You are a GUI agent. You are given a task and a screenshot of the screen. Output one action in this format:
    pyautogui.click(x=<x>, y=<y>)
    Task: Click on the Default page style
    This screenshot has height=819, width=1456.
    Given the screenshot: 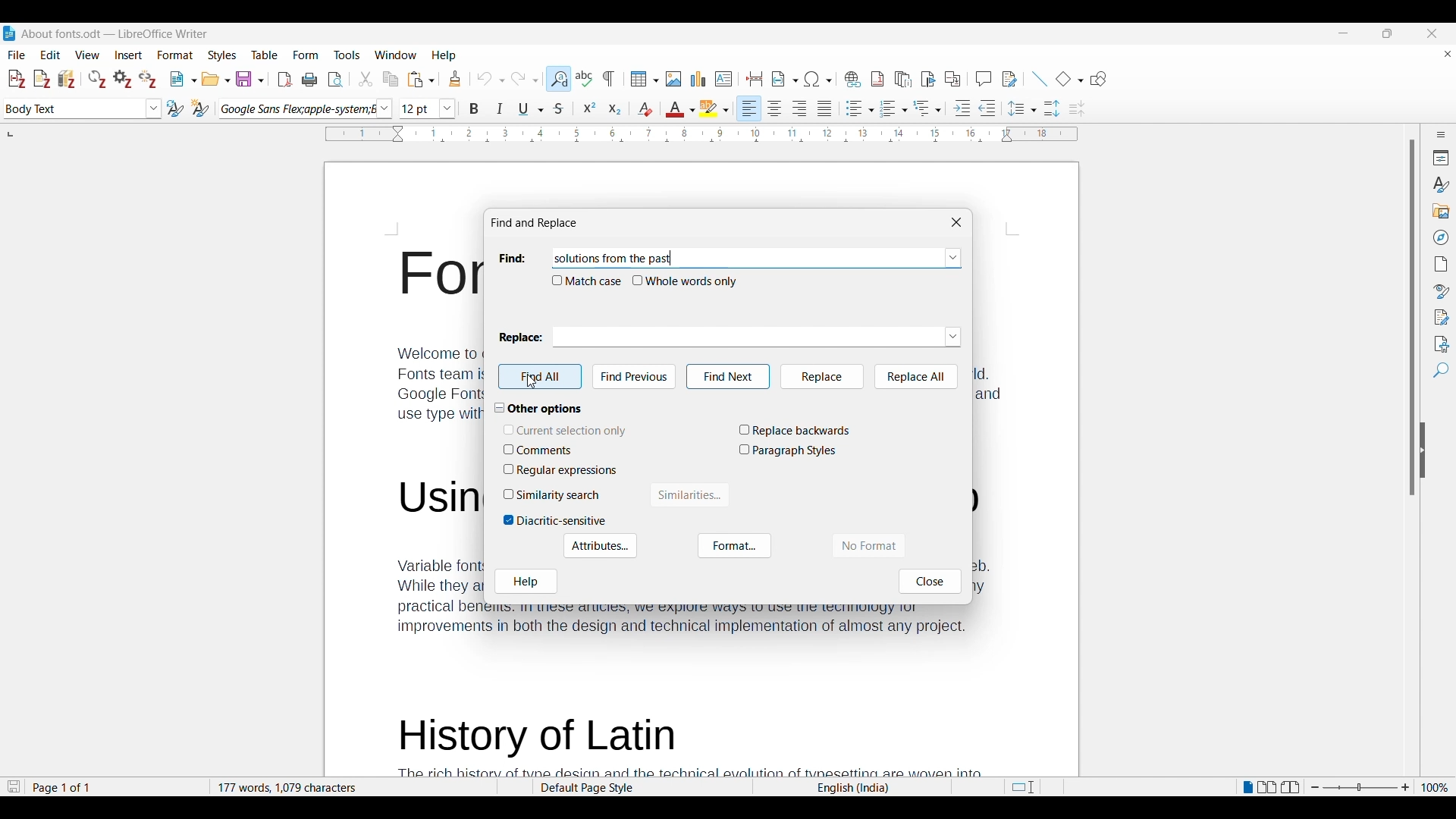 What is the action you would take?
    pyautogui.click(x=641, y=788)
    